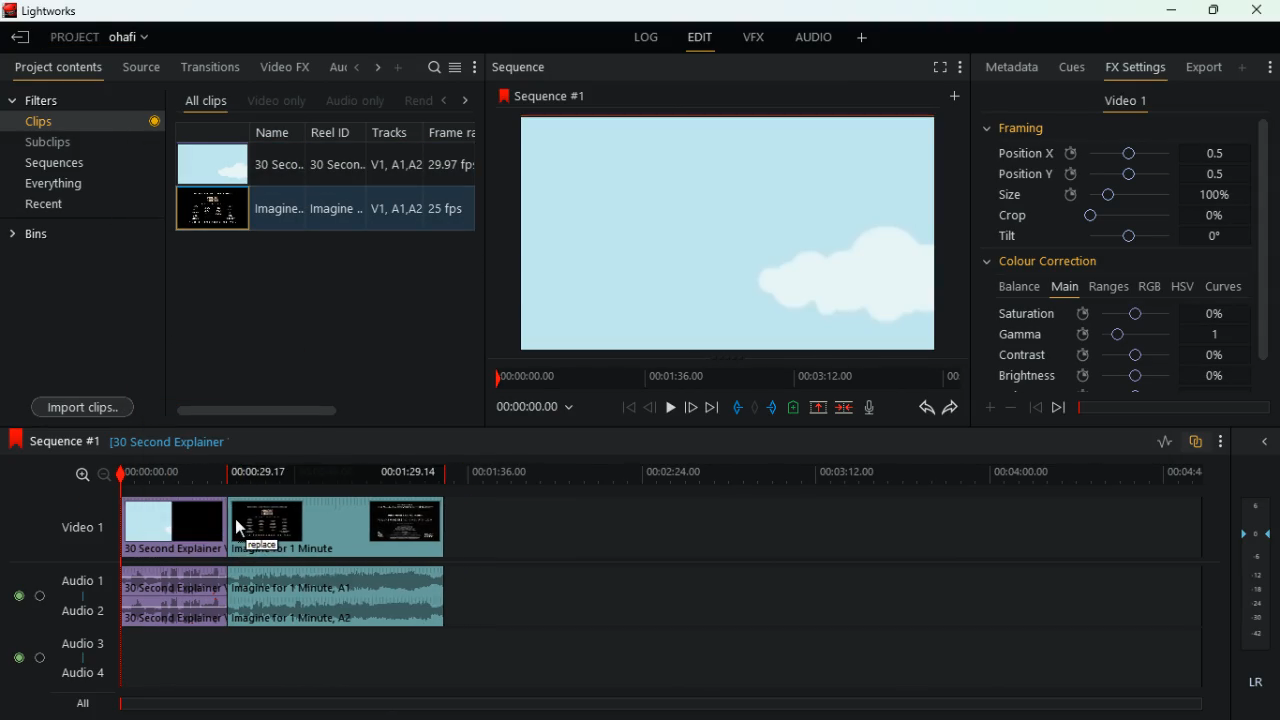 Image resolution: width=1280 pixels, height=720 pixels. I want to click on audio 3, so click(79, 645).